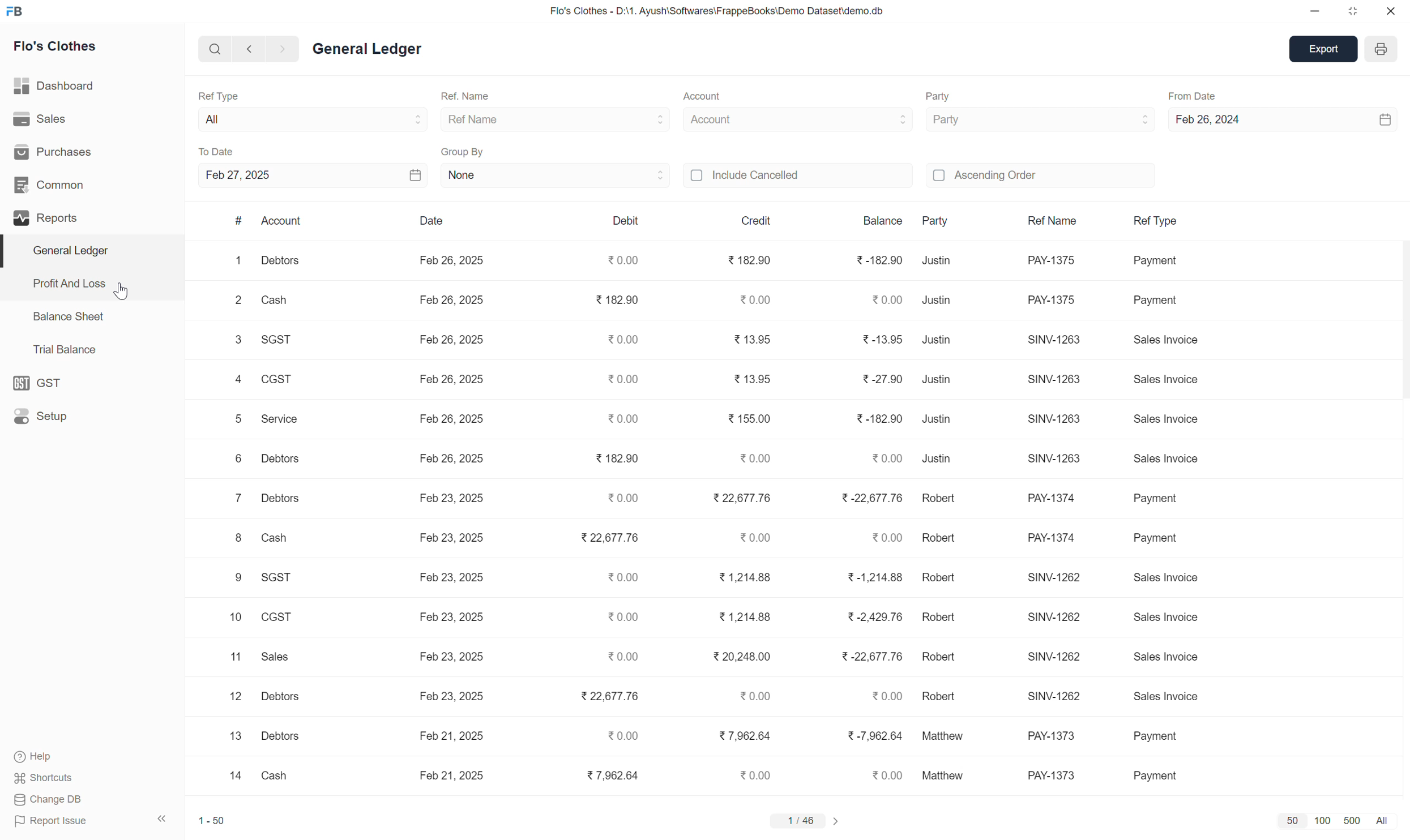 The image size is (1410, 840). What do you see at coordinates (277, 499) in the screenshot?
I see `Debtors` at bounding box center [277, 499].